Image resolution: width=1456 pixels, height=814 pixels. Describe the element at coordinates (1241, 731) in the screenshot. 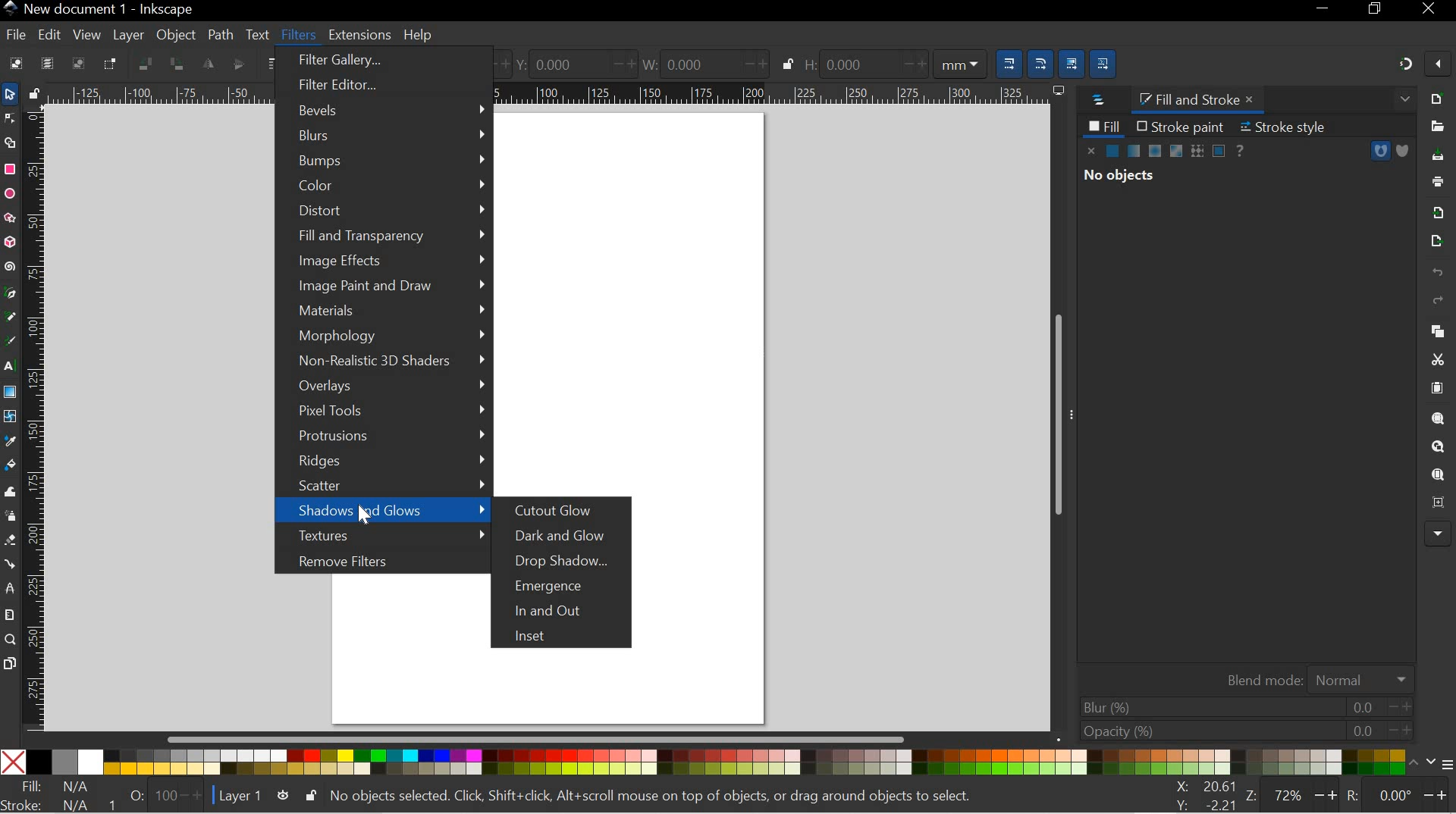

I see `OPACITY` at that location.